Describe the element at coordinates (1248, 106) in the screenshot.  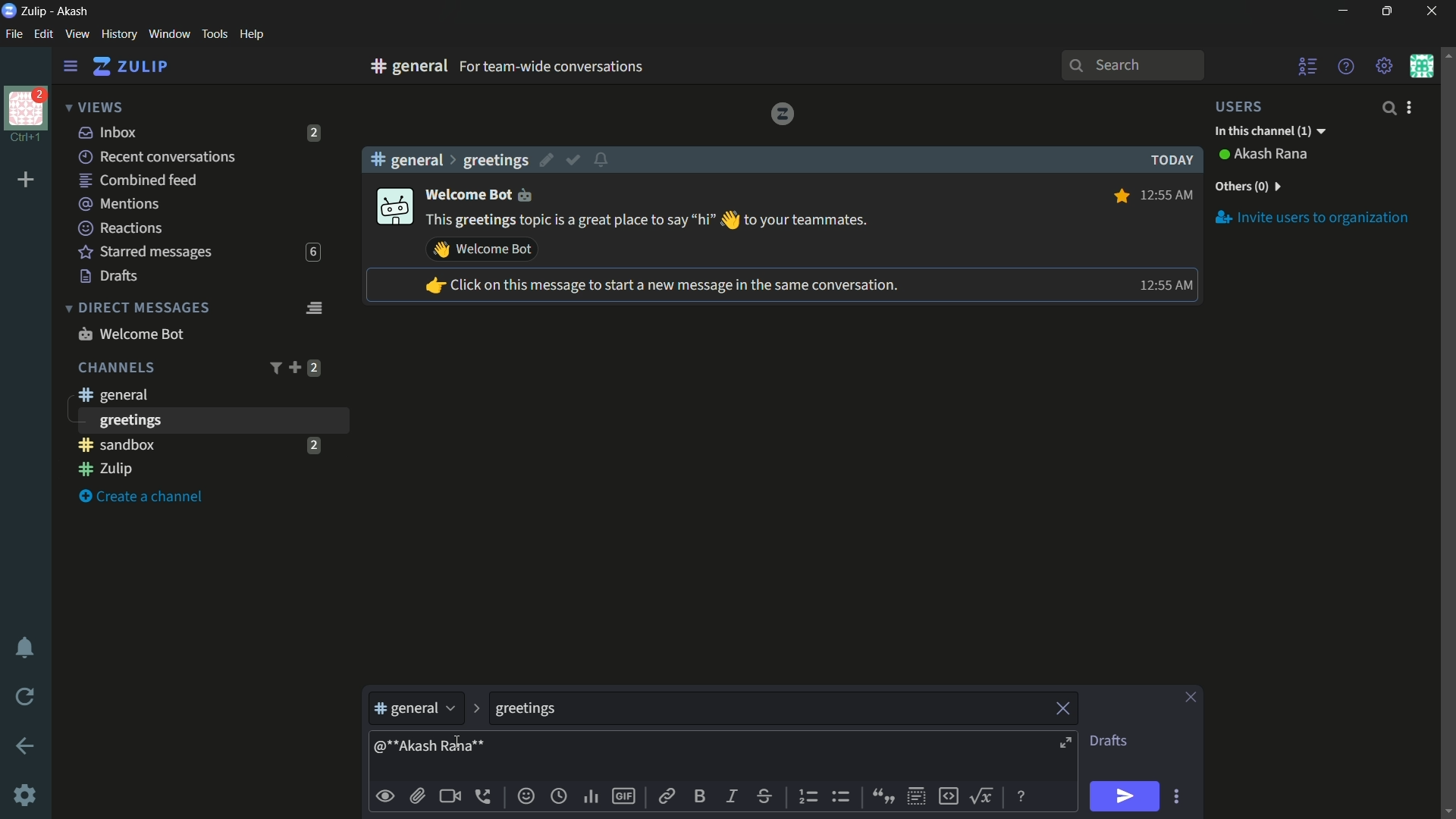
I see `users` at that location.